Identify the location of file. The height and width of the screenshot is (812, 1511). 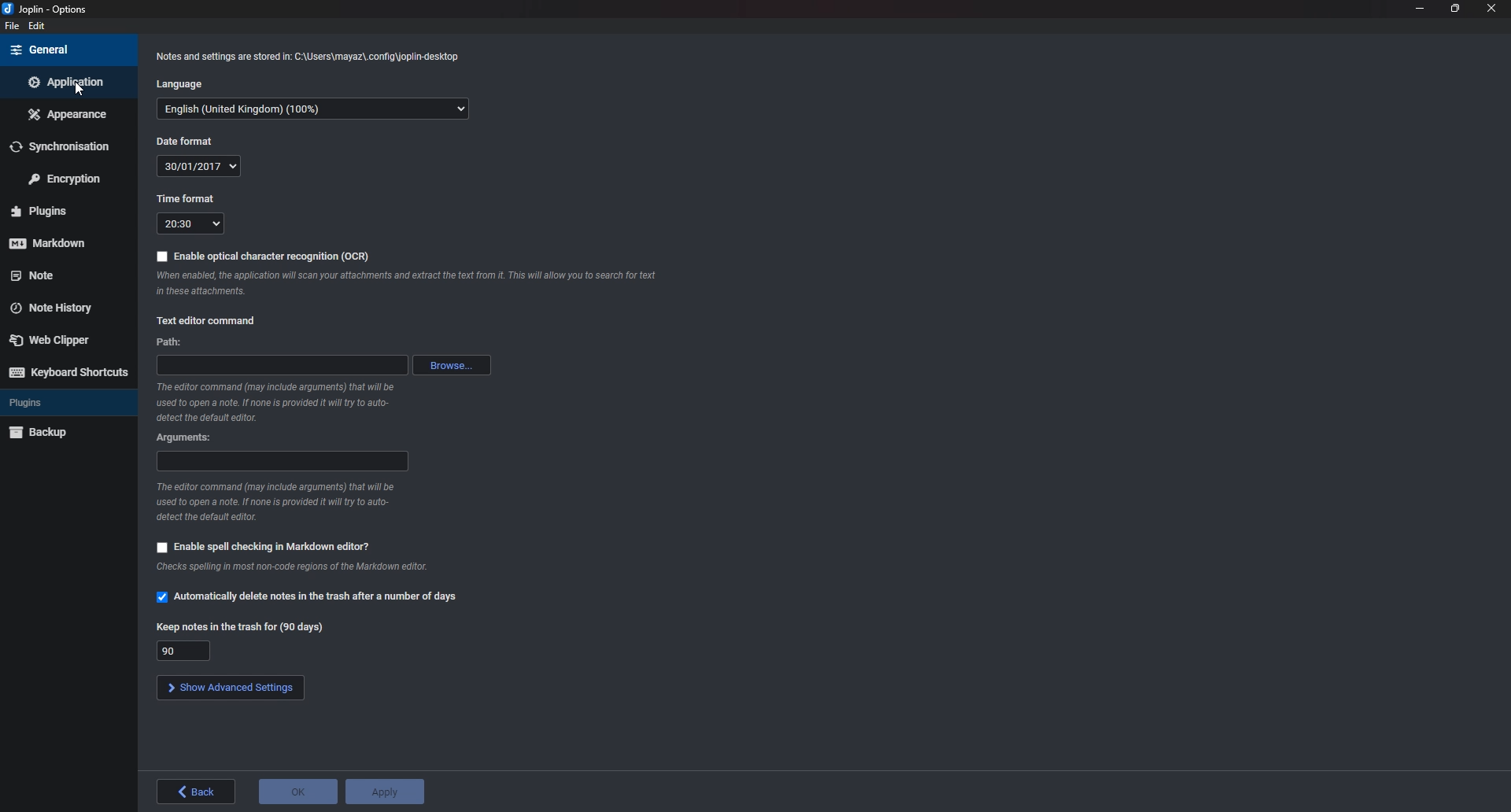
(10, 27).